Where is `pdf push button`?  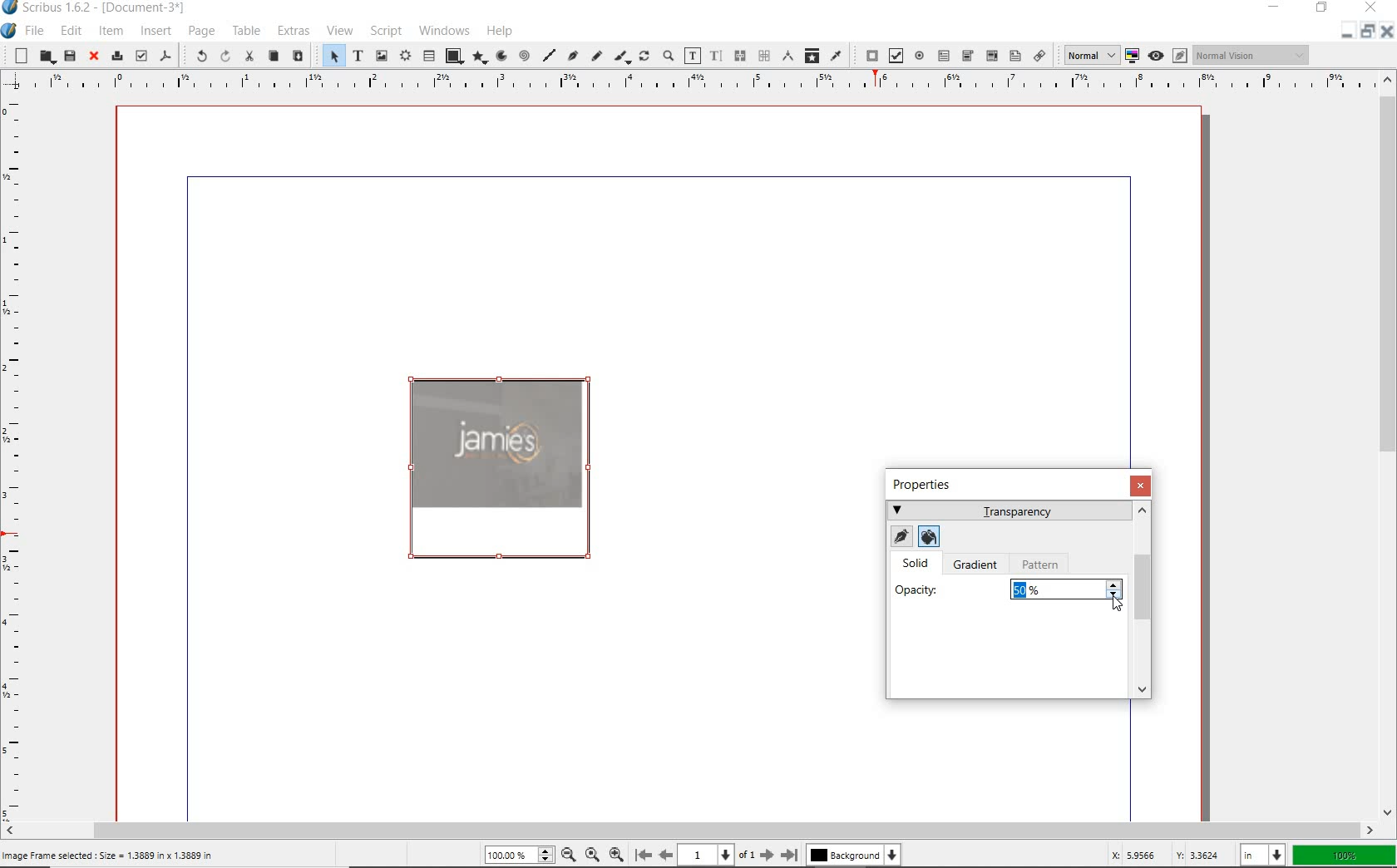 pdf push button is located at coordinates (867, 55).